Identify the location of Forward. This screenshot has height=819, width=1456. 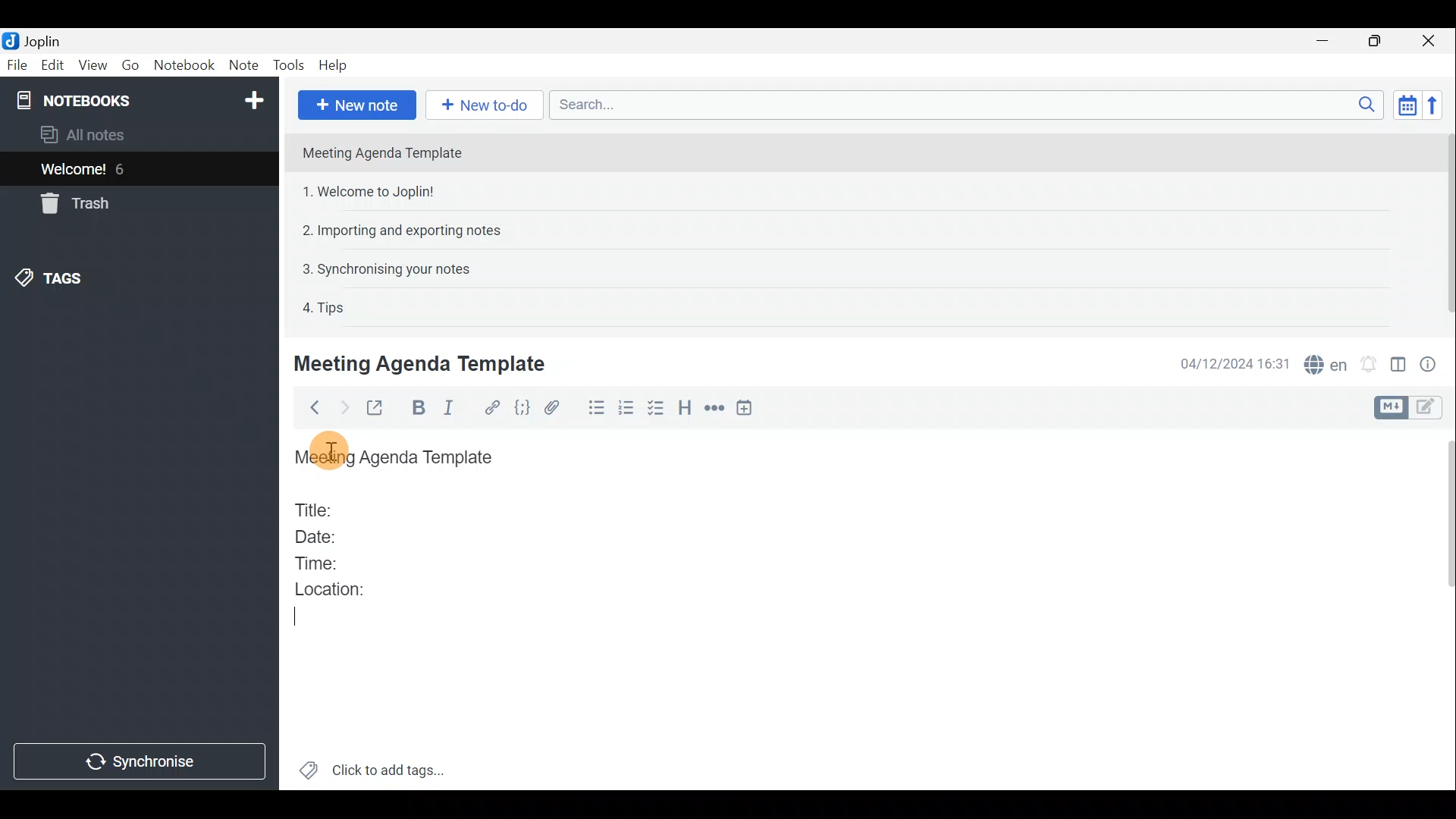
(342, 407).